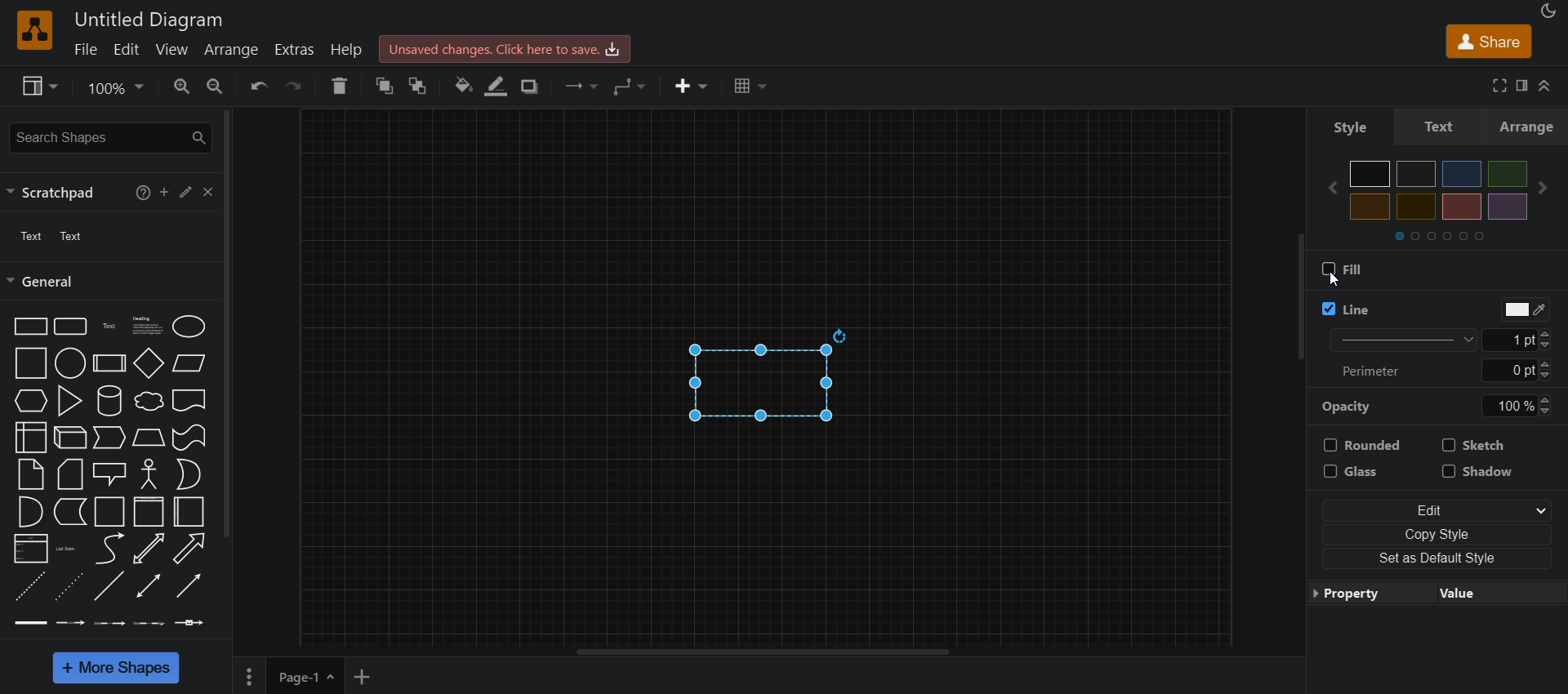  Describe the element at coordinates (1343, 269) in the screenshot. I see `fill ` at that location.